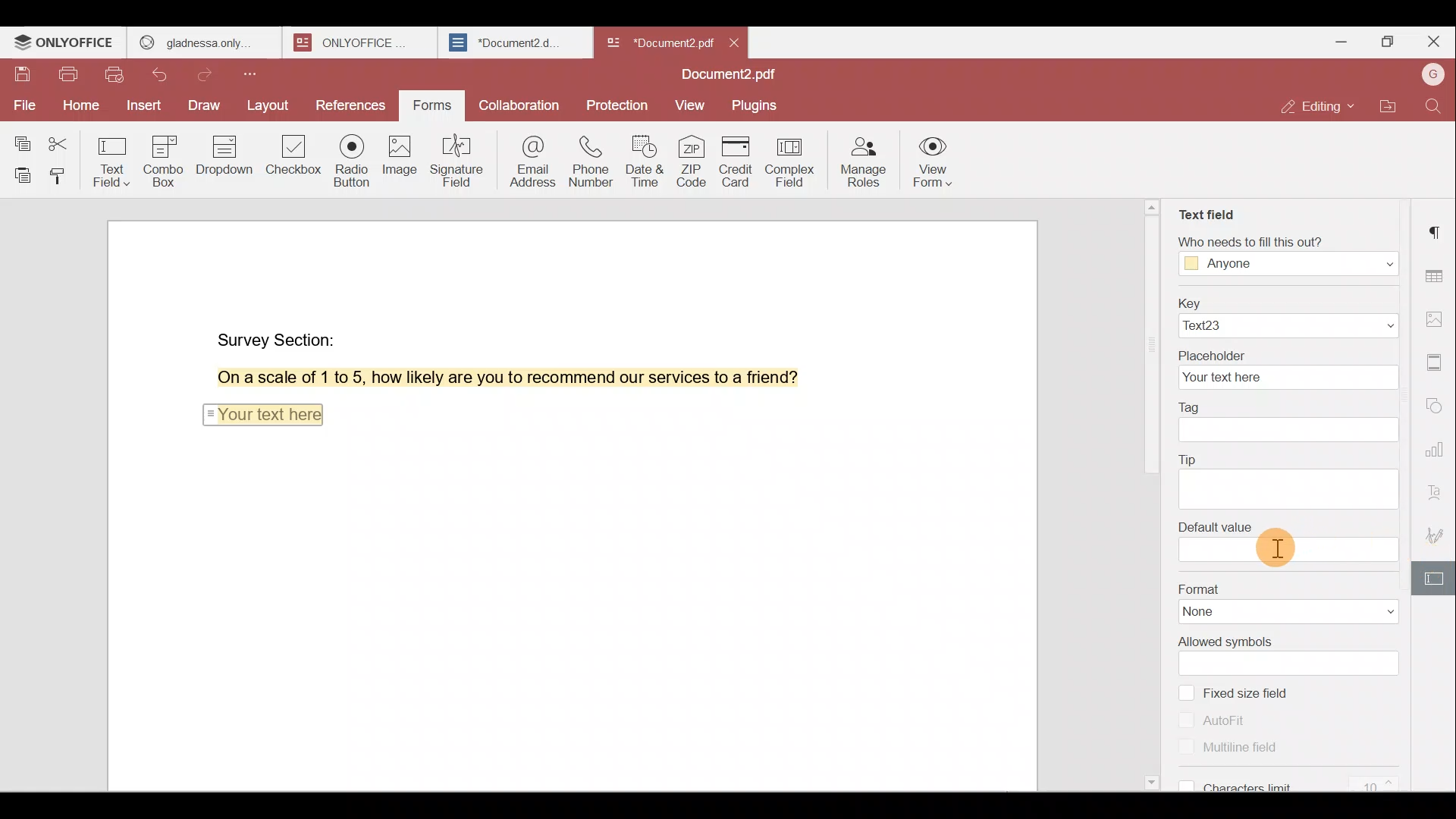 Image resolution: width=1456 pixels, height=819 pixels. I want to click on Copy, so click(21, 137).